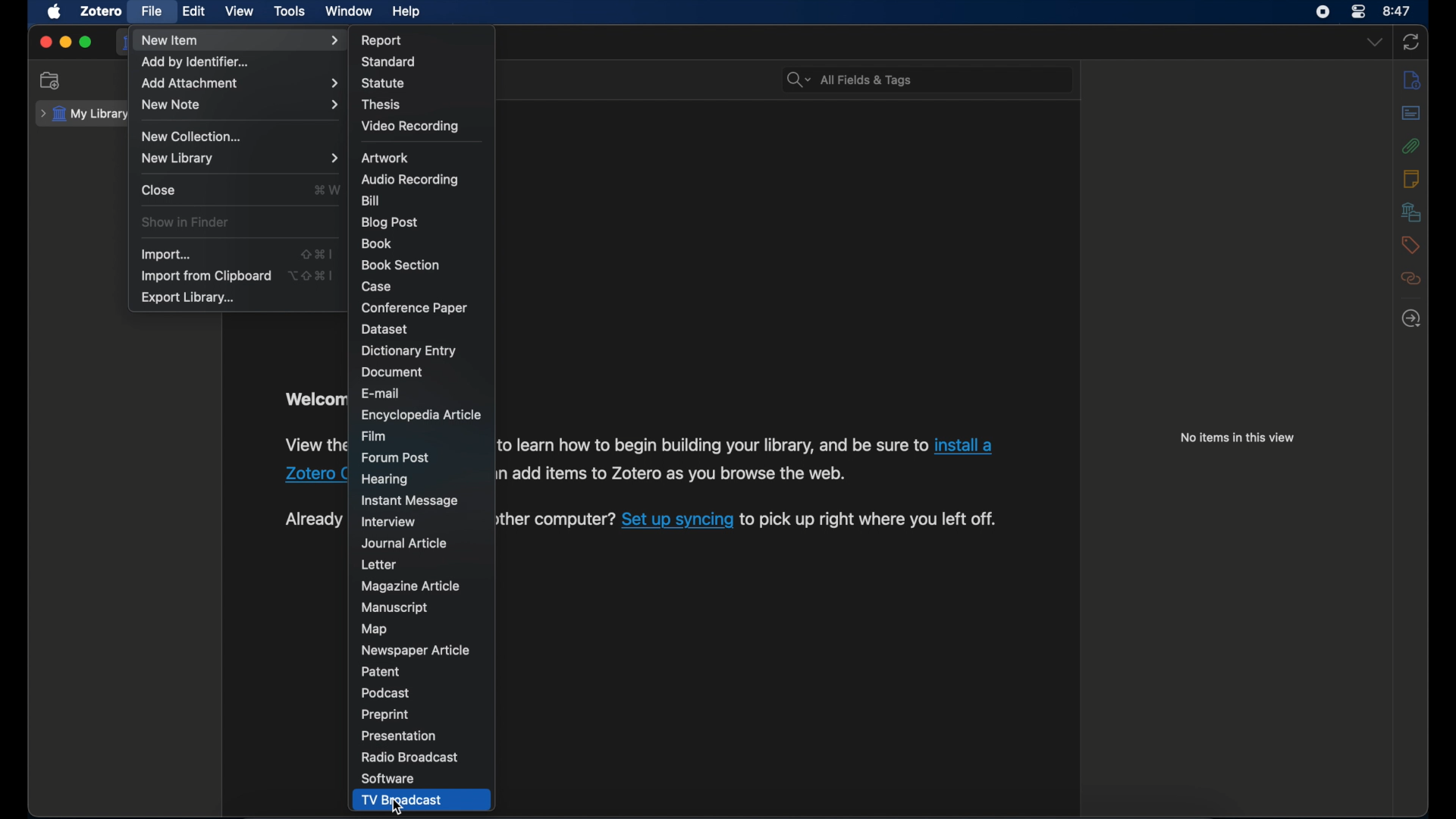 This screenshot has width=1456, height=819. Describe the element at coordinates (240, 83) in the screenshot. I see `add attachment` at that location.